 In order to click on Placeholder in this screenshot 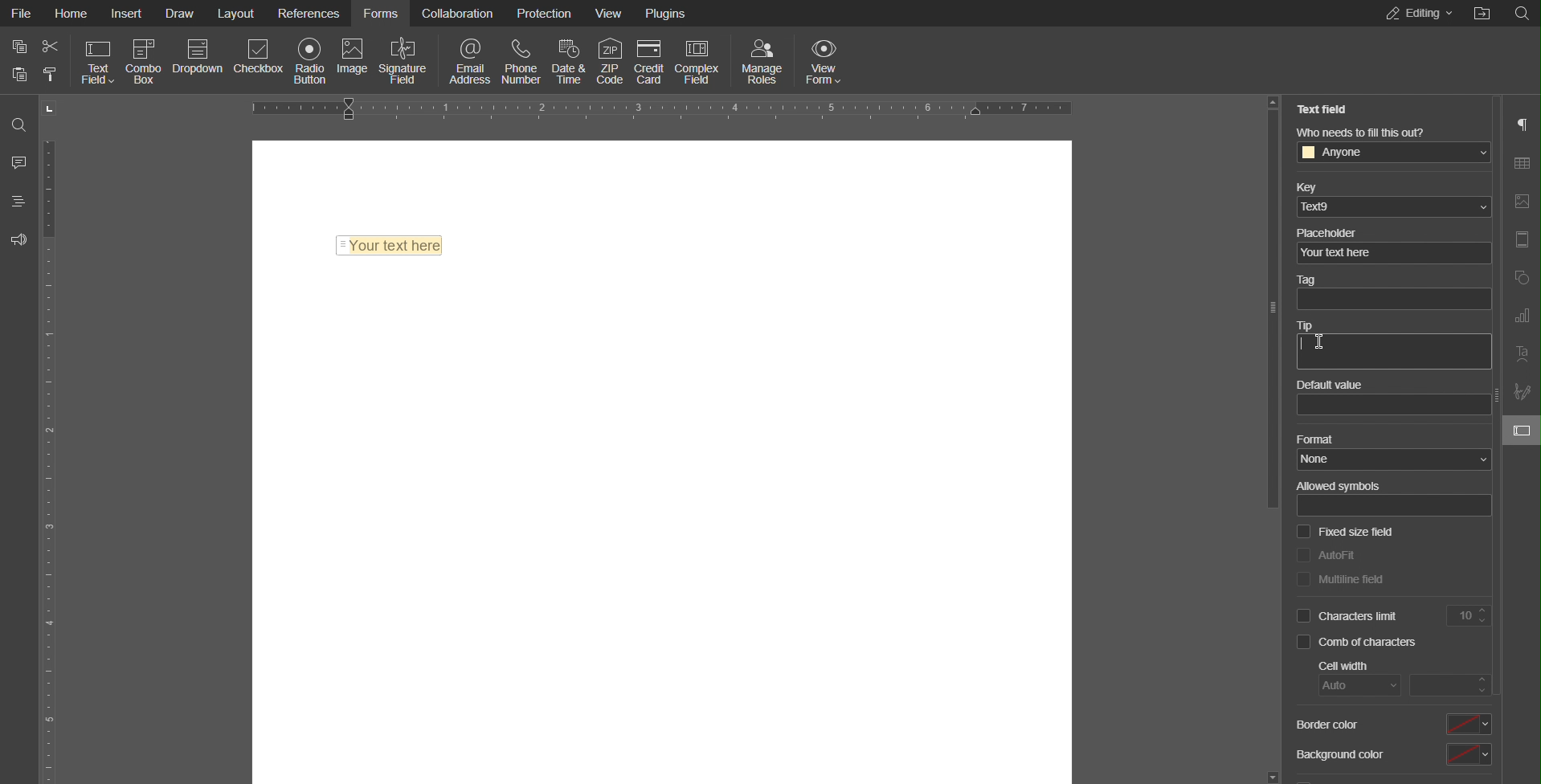, I will do `click(1391, 233)`.